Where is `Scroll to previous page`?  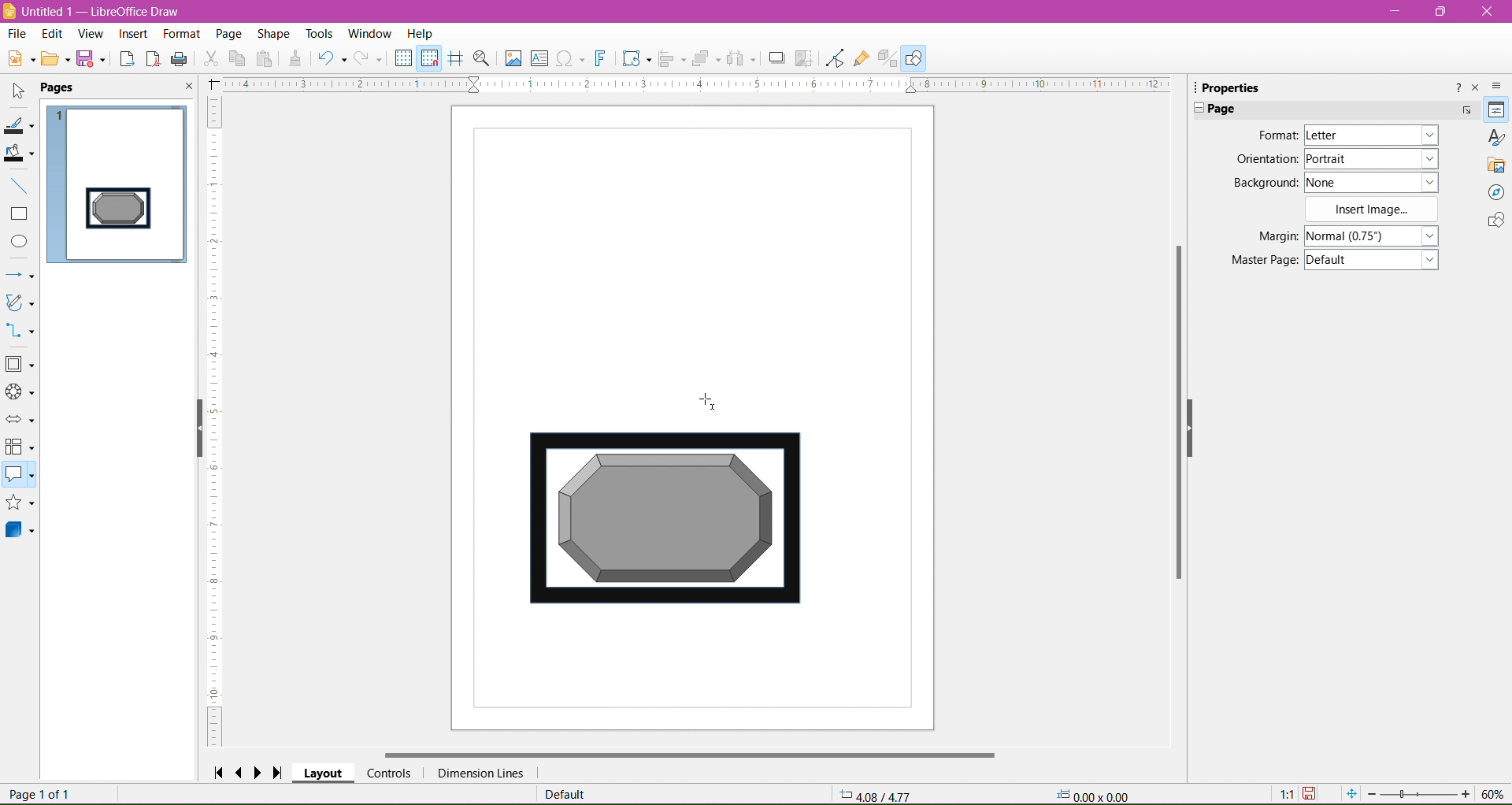
Scroll to previous page is located at coordinates (241, 772).